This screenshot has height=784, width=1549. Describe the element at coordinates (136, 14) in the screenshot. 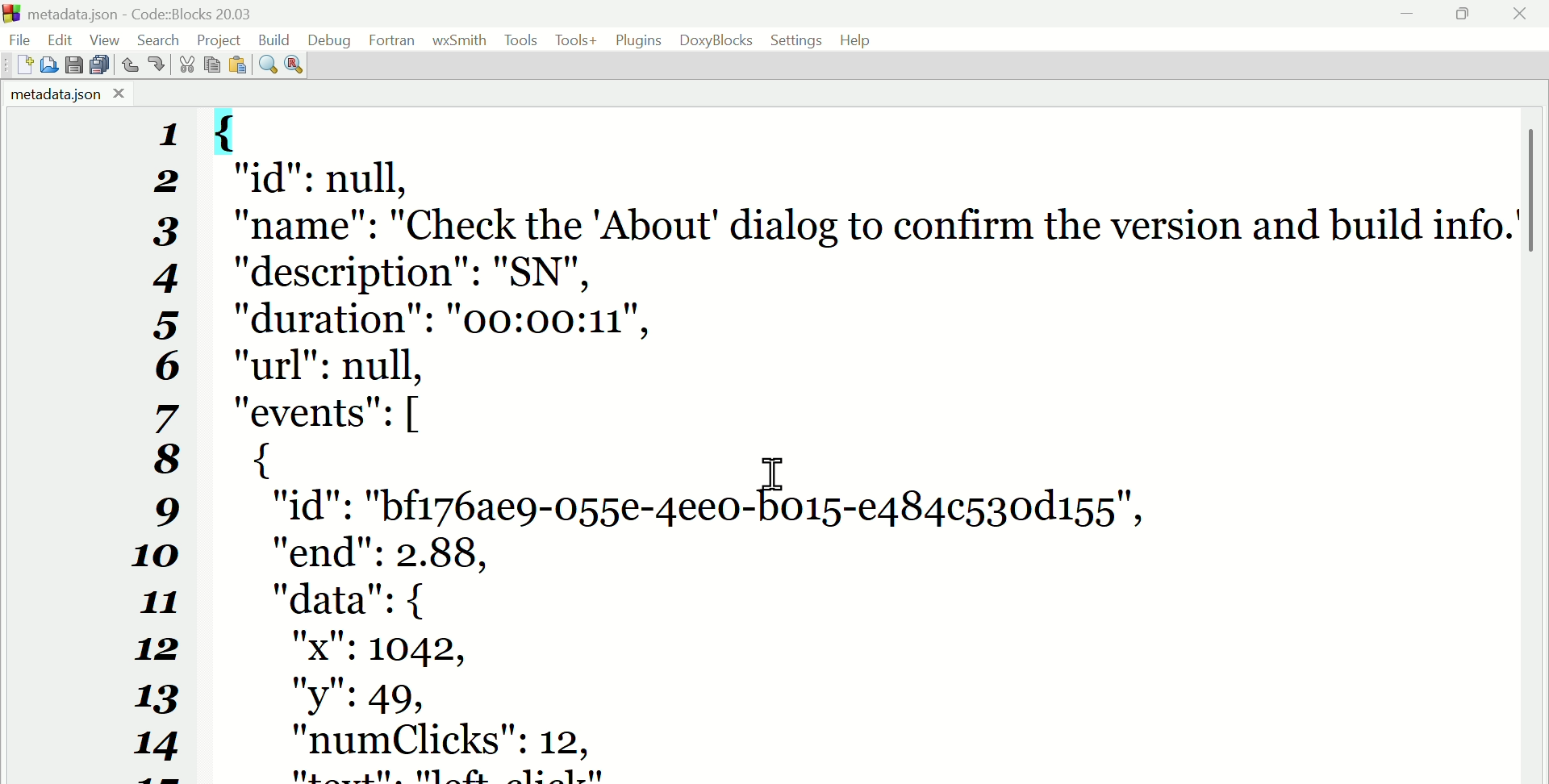

I see `Metadata.Json code blocks 20.03` at that location.